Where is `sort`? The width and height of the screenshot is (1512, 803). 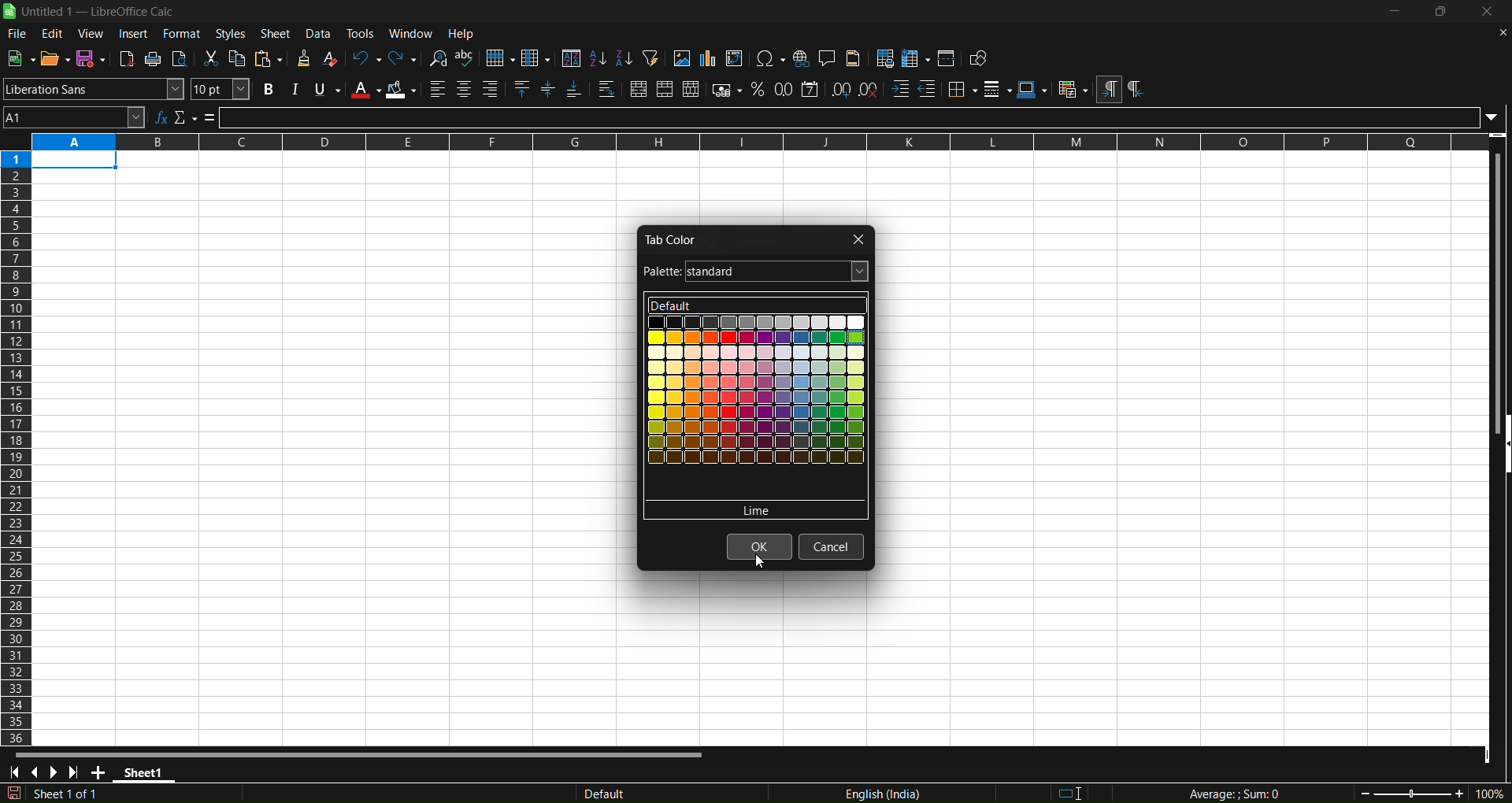
sort is located at coordinates (570, 57).